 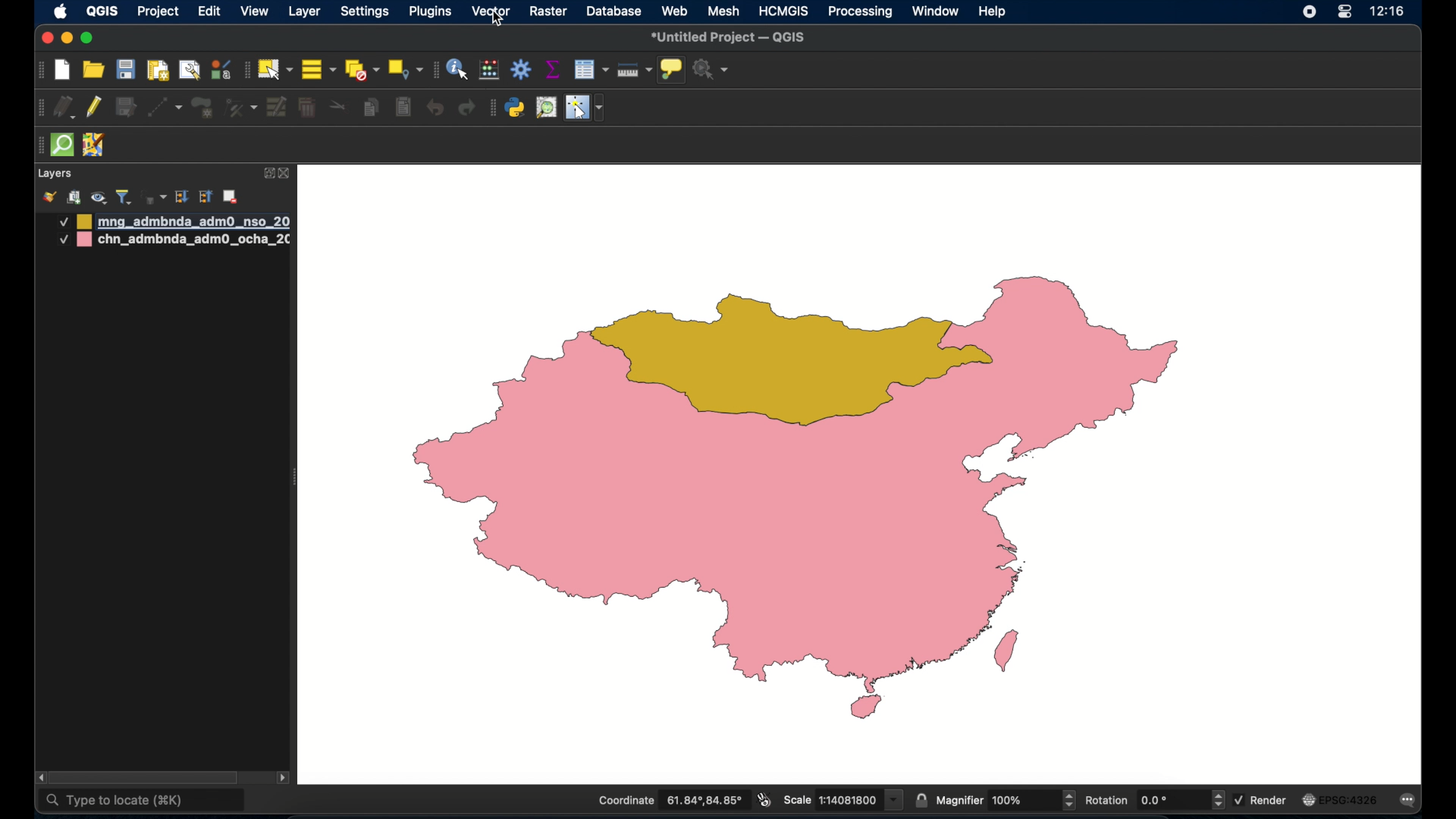 I want to click on select all features, so click(x=319, y=71).